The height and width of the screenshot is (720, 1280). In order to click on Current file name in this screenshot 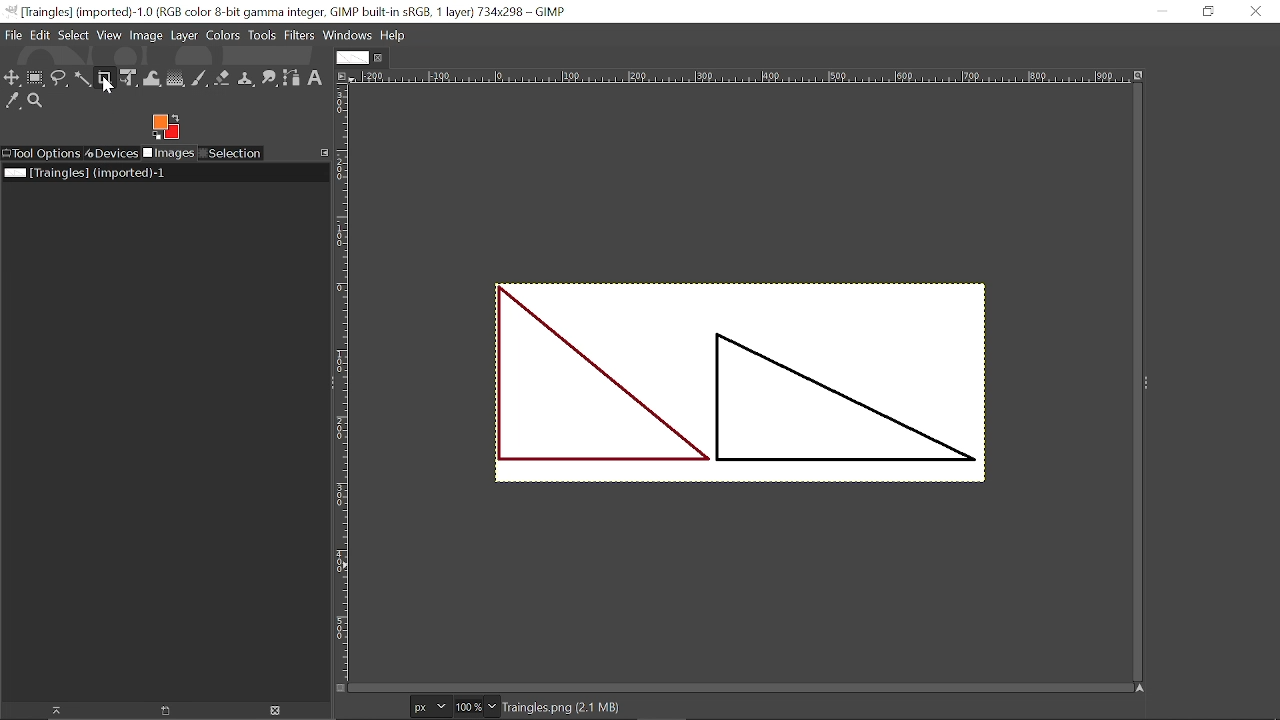, I will do `click(85, 173)`.